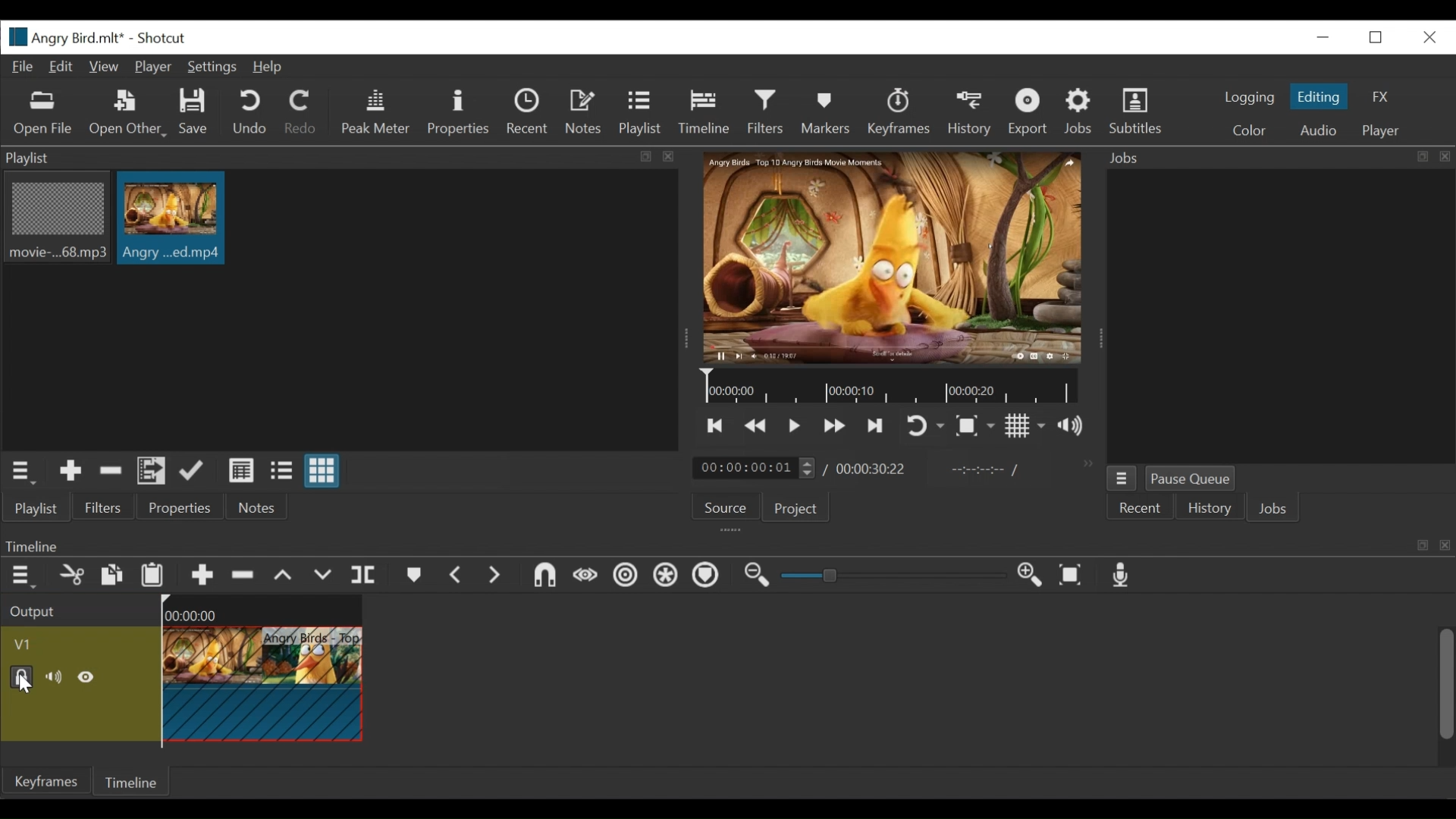  I want to click on Copy, so click(113, 577).